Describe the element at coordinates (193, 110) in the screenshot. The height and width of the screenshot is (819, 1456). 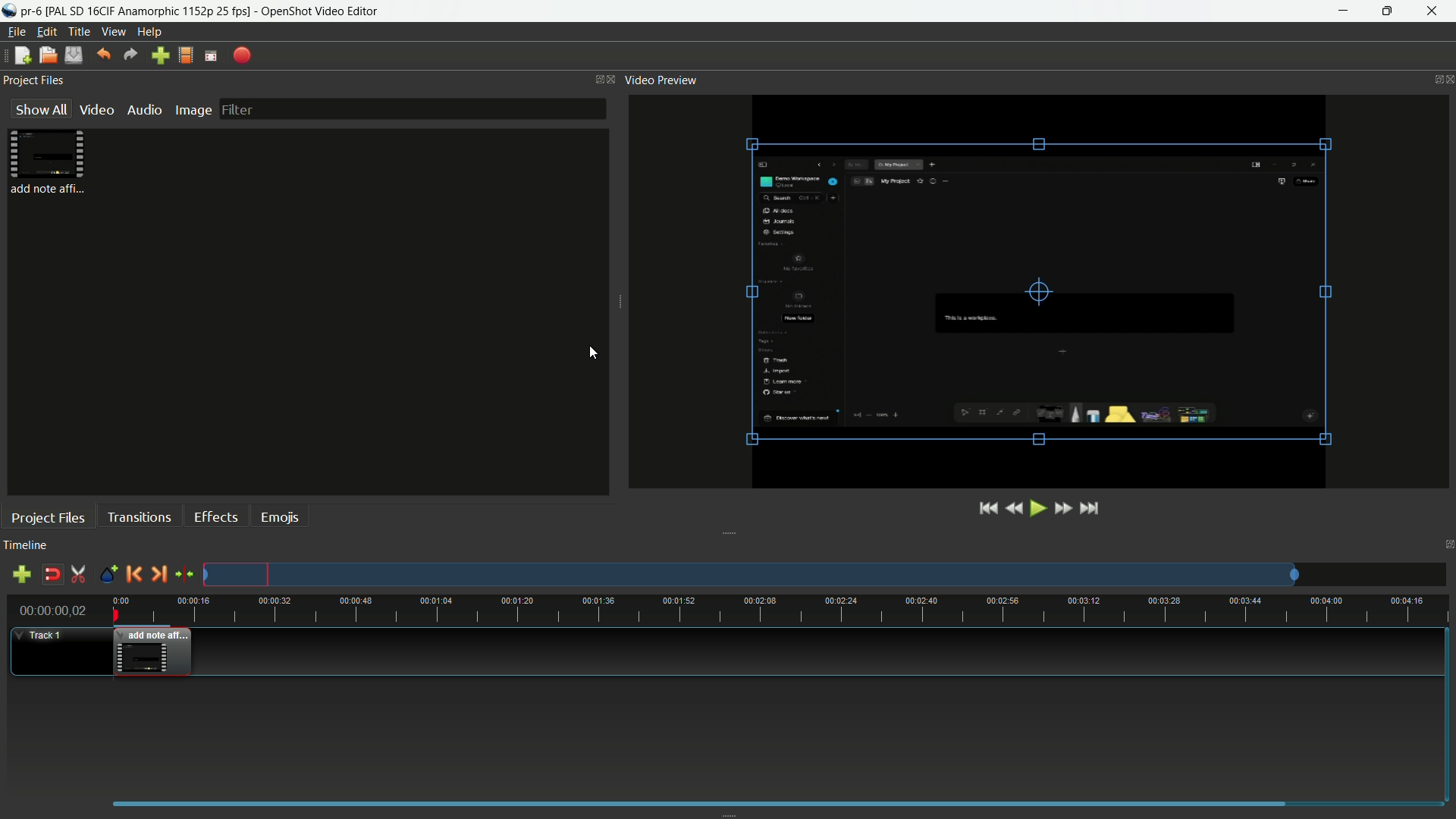
I see `image` at that location.